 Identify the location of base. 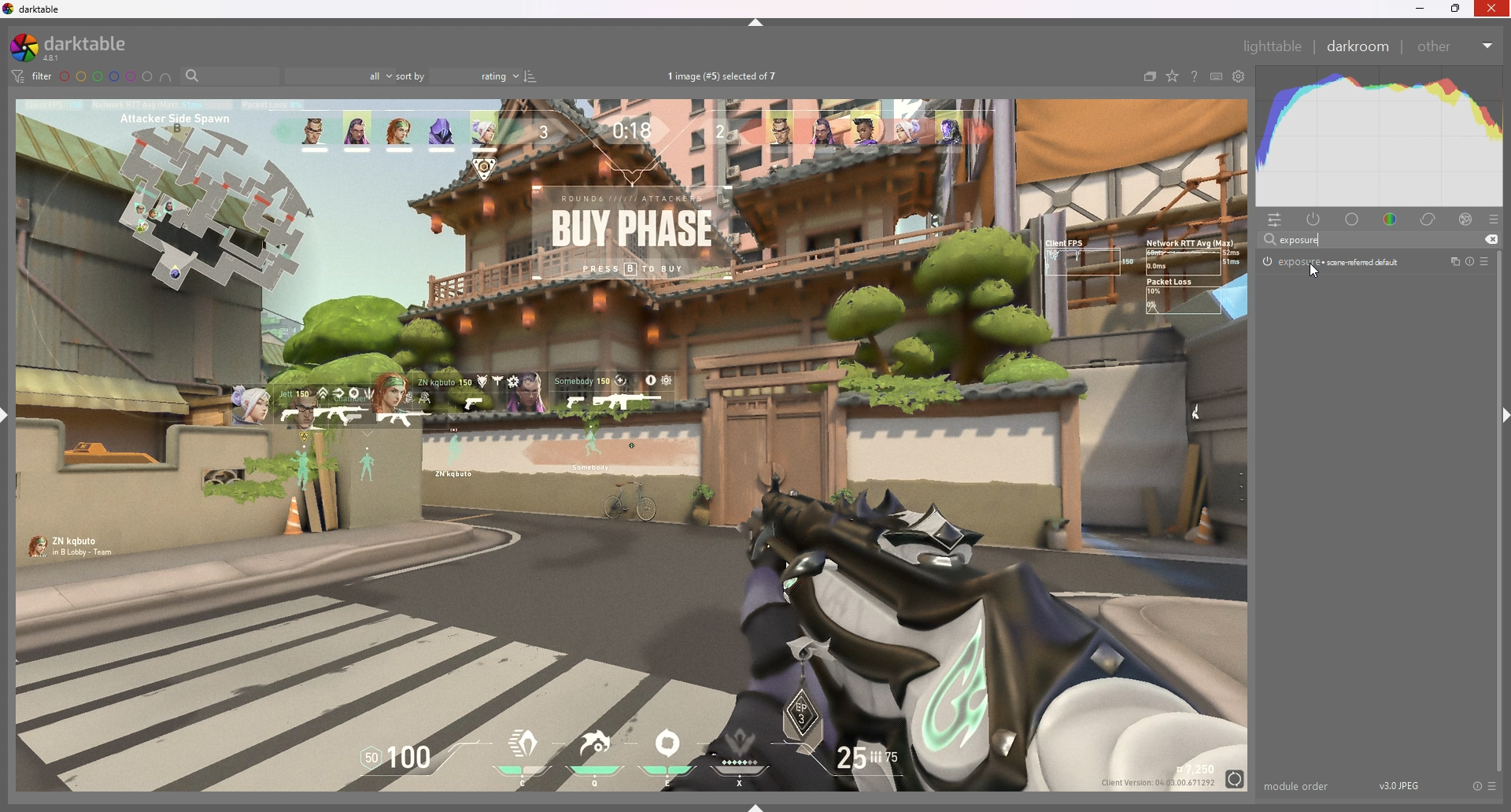
(1353, 220).